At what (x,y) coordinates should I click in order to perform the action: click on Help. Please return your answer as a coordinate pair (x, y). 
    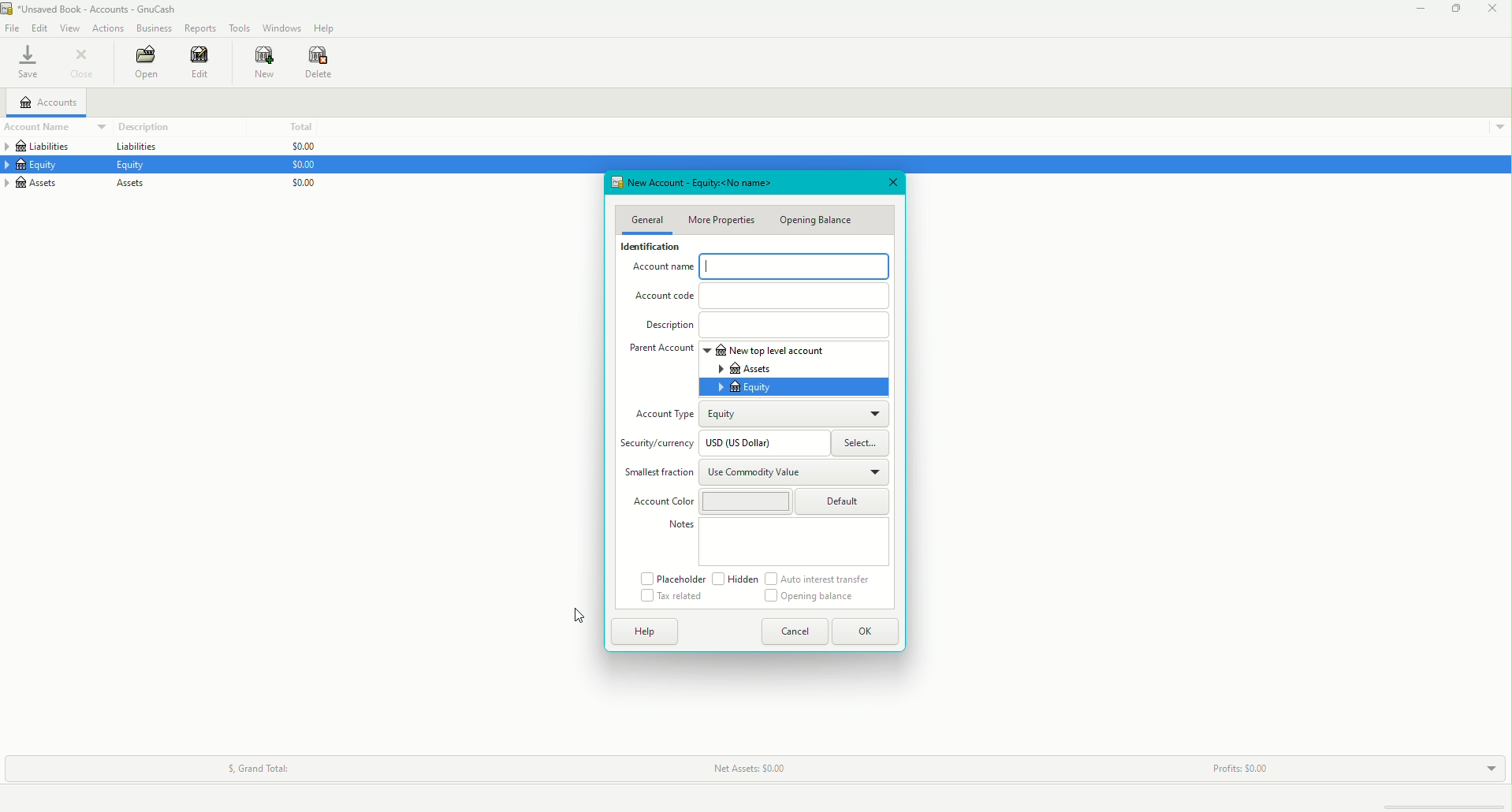
    Looking at the image, I should click on (650, 633).